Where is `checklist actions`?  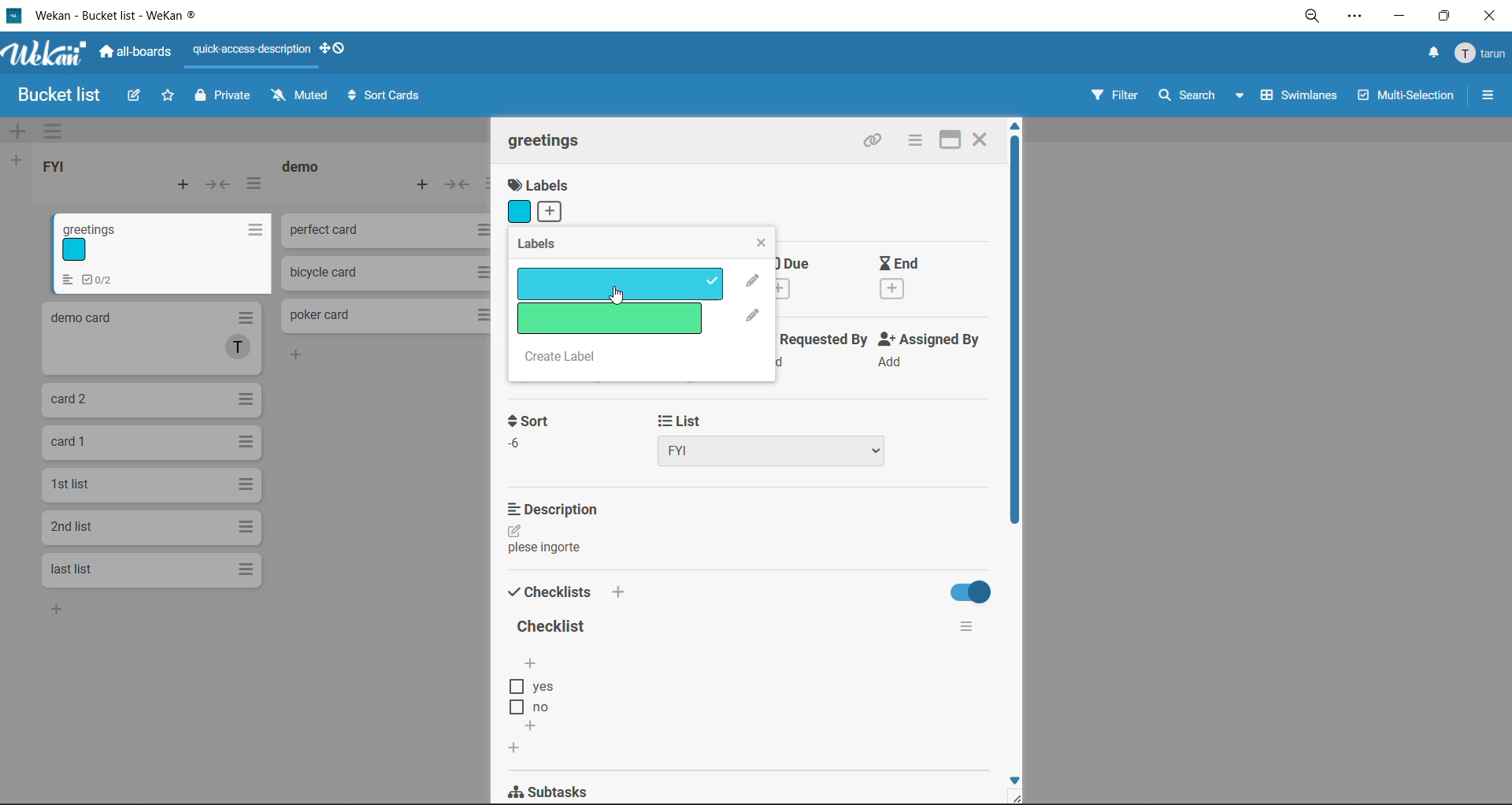
checklist actions is located at coordinates (962, 626).